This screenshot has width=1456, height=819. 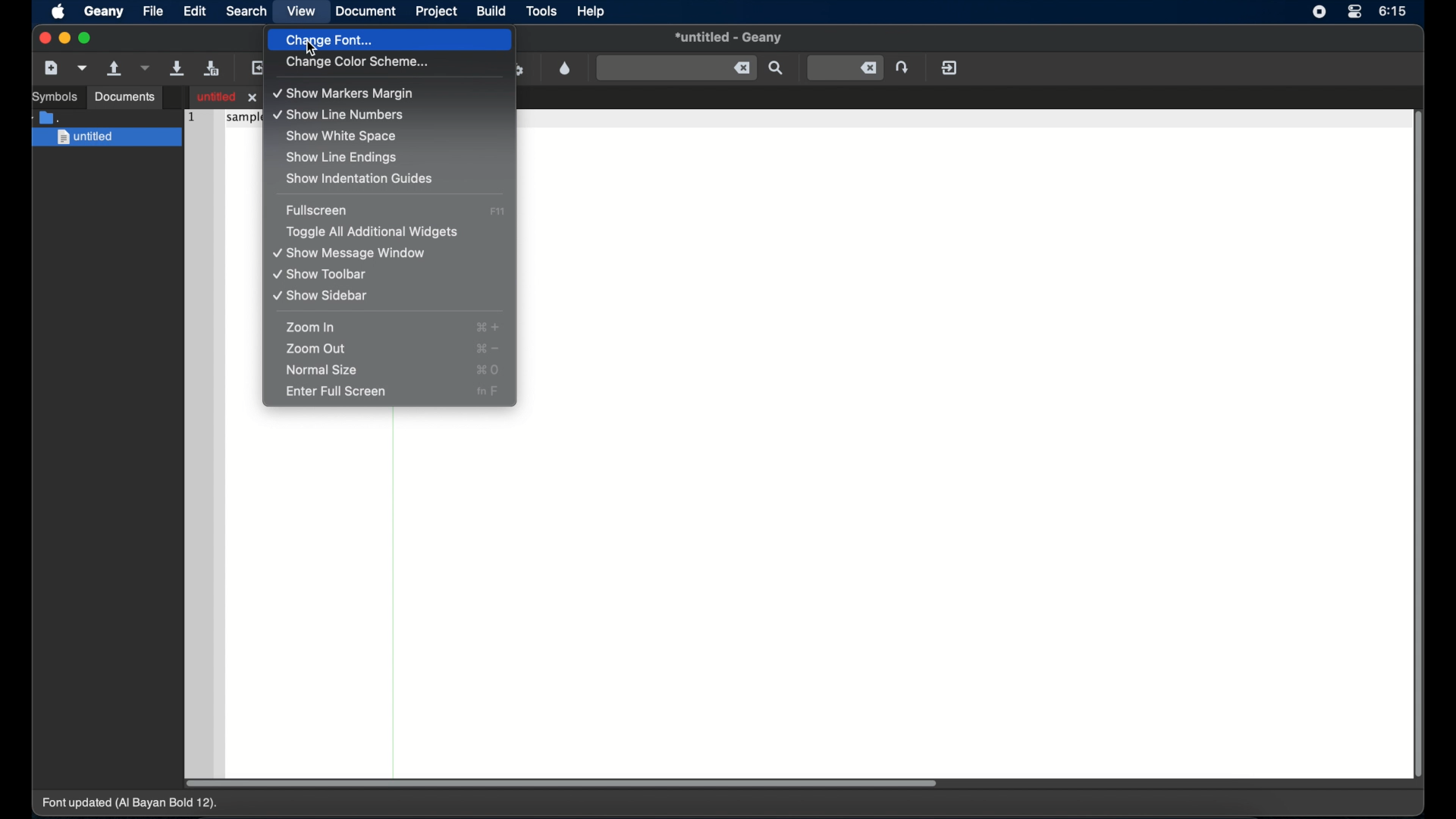 What do you see at coordinates (1420, 447) in the screenshot?
I see `scroll box` at bounding box center [1420, 447].